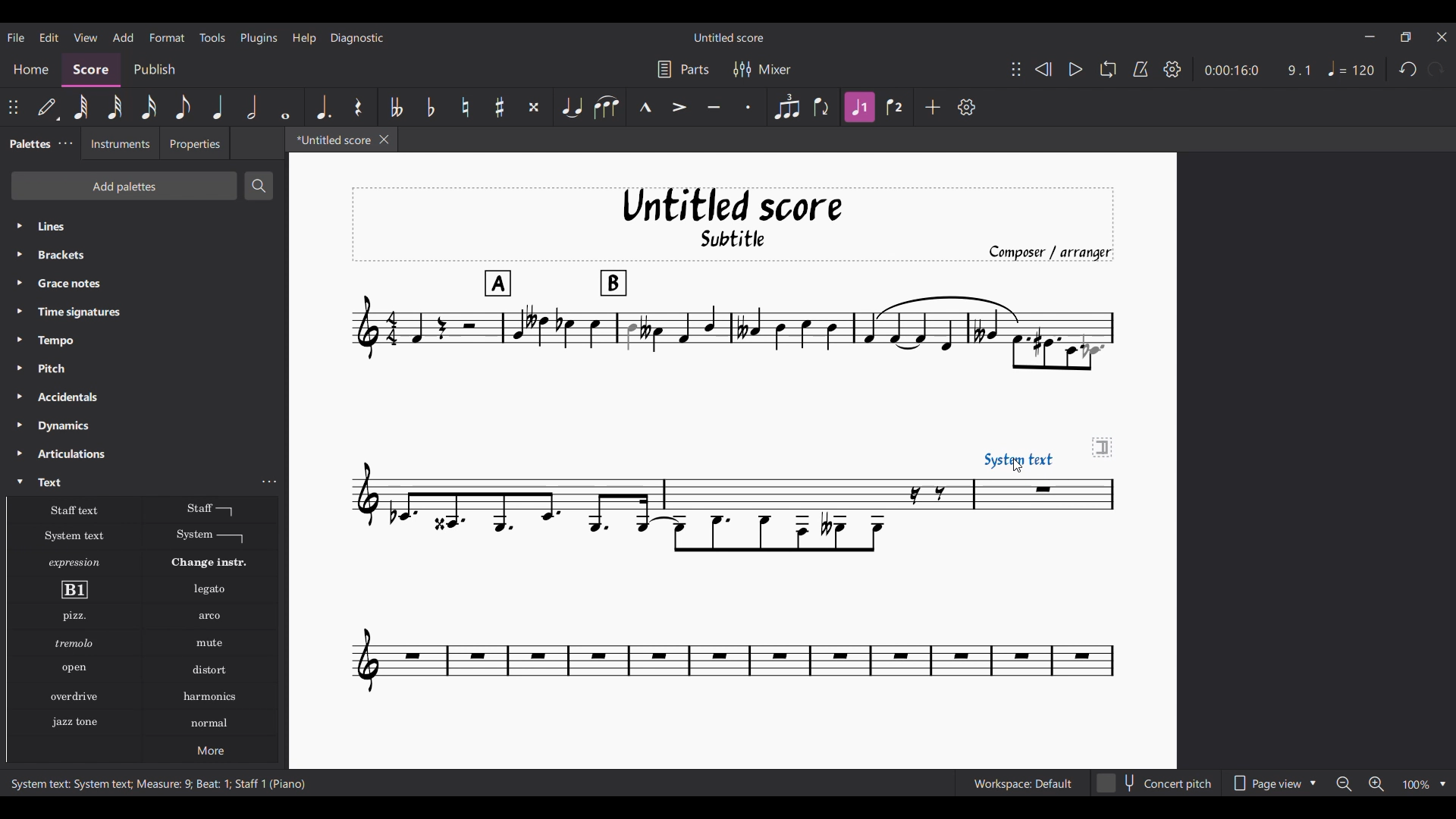  I want to click on Diagnostic menu, so click(358, 38).